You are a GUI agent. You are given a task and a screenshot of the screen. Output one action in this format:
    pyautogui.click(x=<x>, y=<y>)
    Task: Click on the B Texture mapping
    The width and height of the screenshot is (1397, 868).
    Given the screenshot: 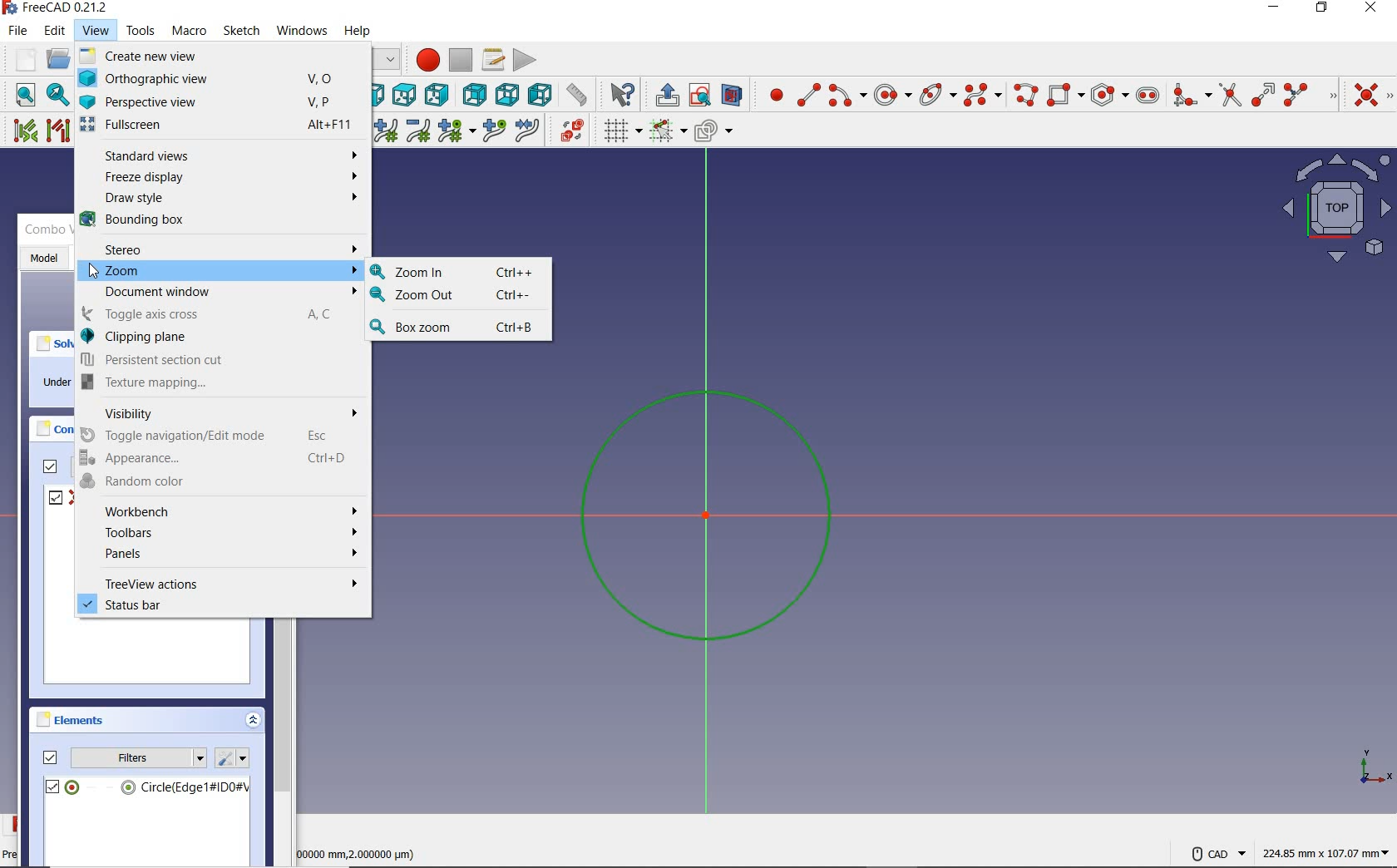 What is the action you would take?
    pyautogui.click(x=222, y=382)
    